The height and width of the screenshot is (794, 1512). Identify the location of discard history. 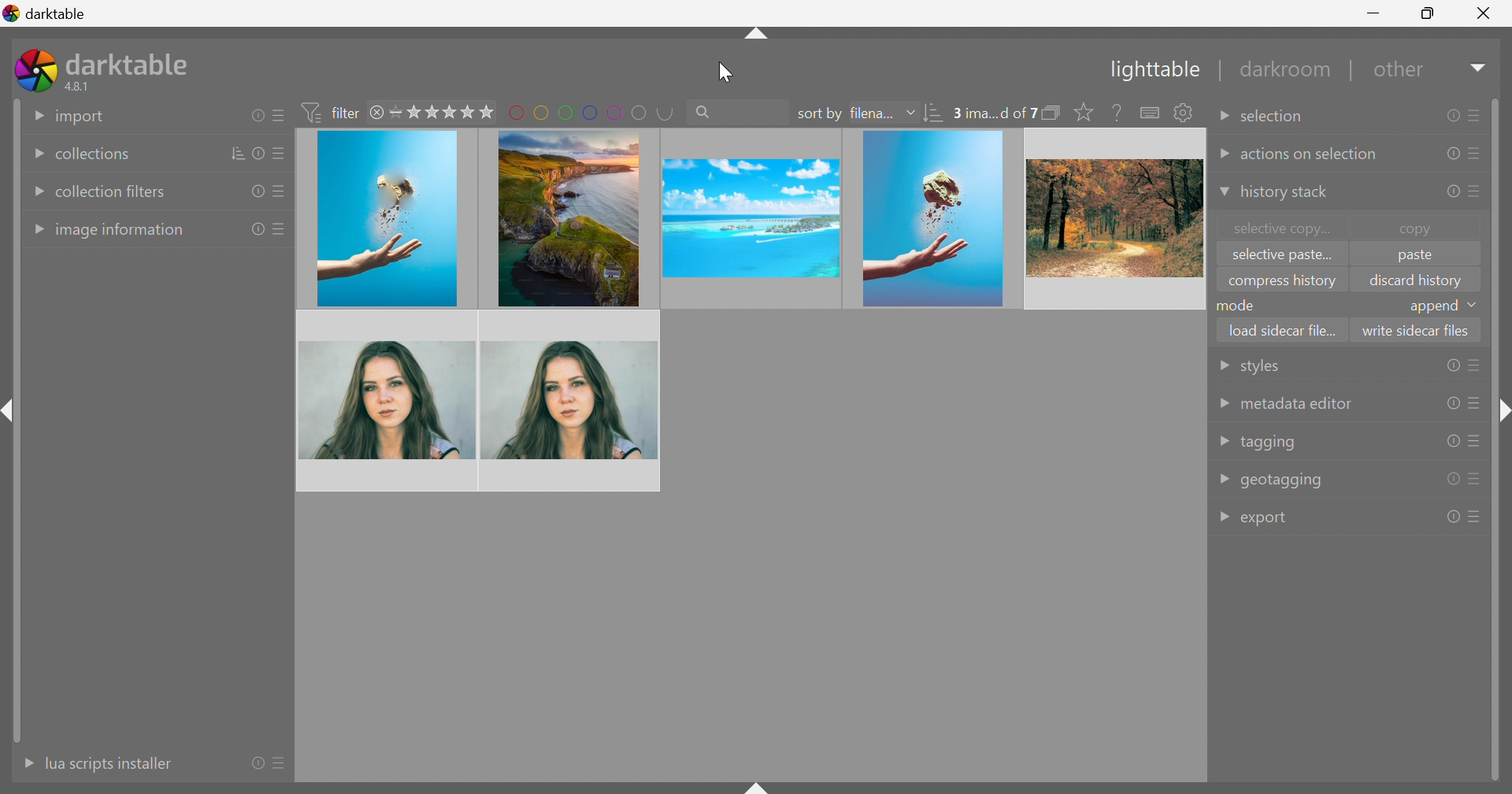
(1416, 280).